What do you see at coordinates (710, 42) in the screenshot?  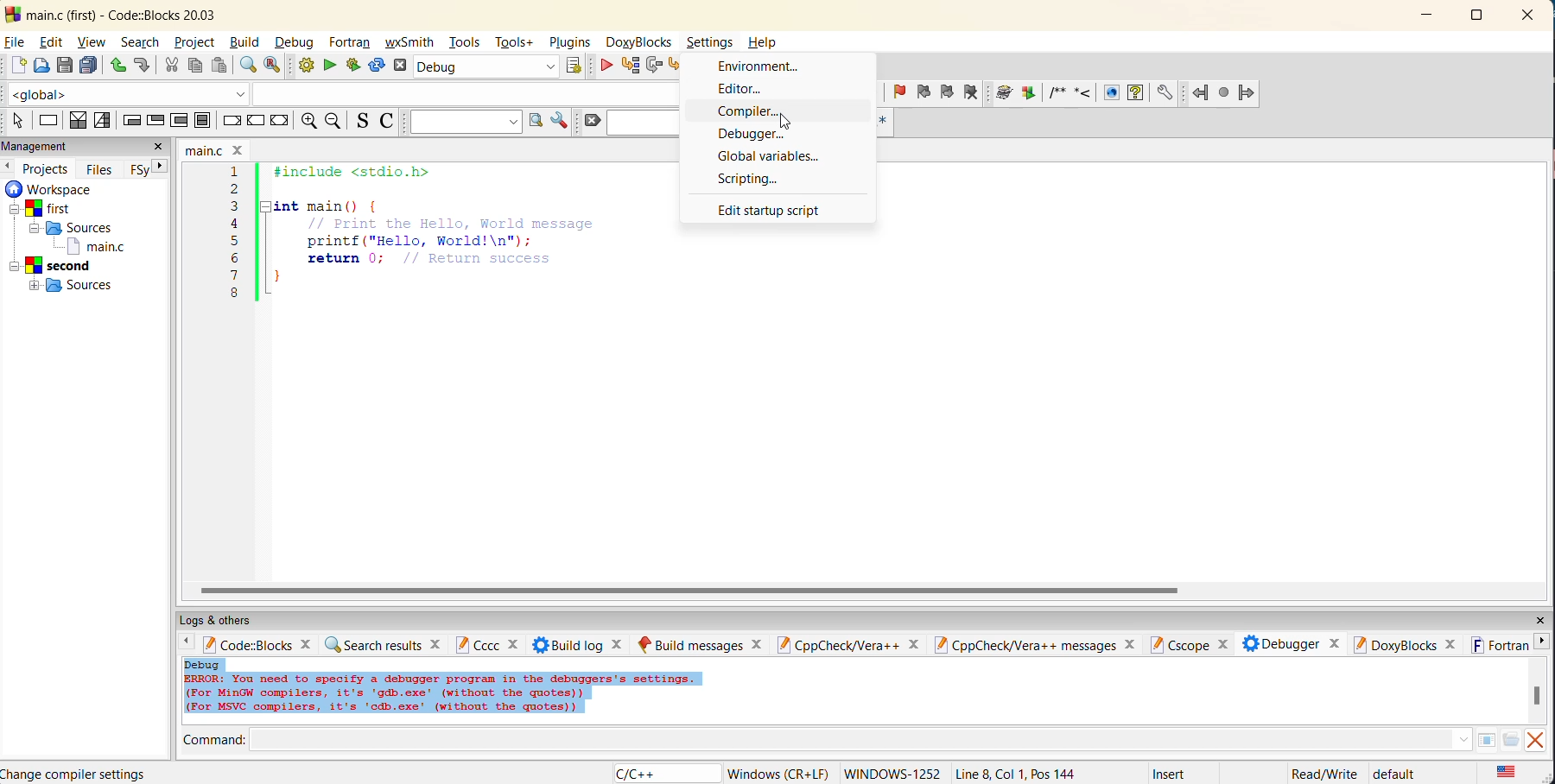 I see `Settings` at bounding box center [710, 42].